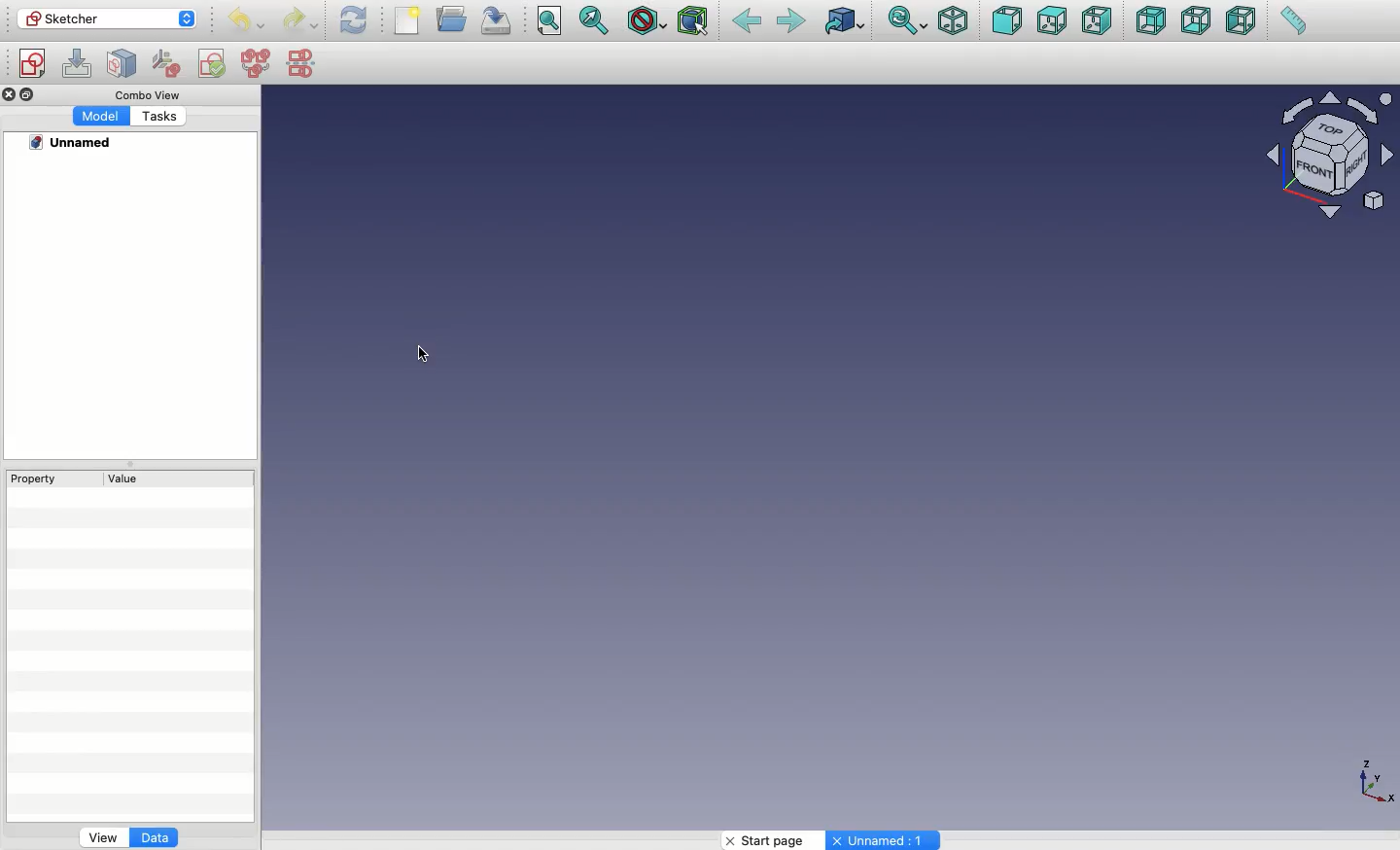  I want to click on Unnamed, so click(72, 145).